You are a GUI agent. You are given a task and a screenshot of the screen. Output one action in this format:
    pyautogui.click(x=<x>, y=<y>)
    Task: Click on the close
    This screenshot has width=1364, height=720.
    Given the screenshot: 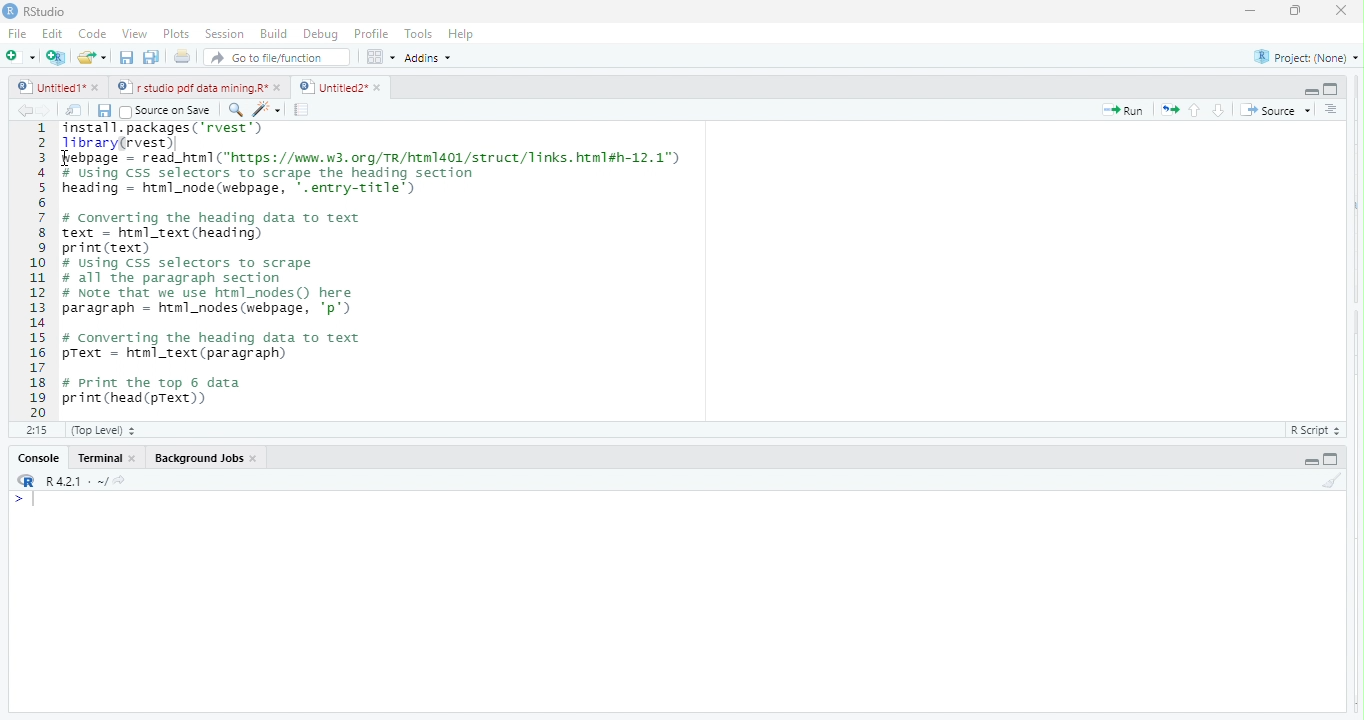 What is the action you would take?
    pyautogui.click(x=98, y=89)
    